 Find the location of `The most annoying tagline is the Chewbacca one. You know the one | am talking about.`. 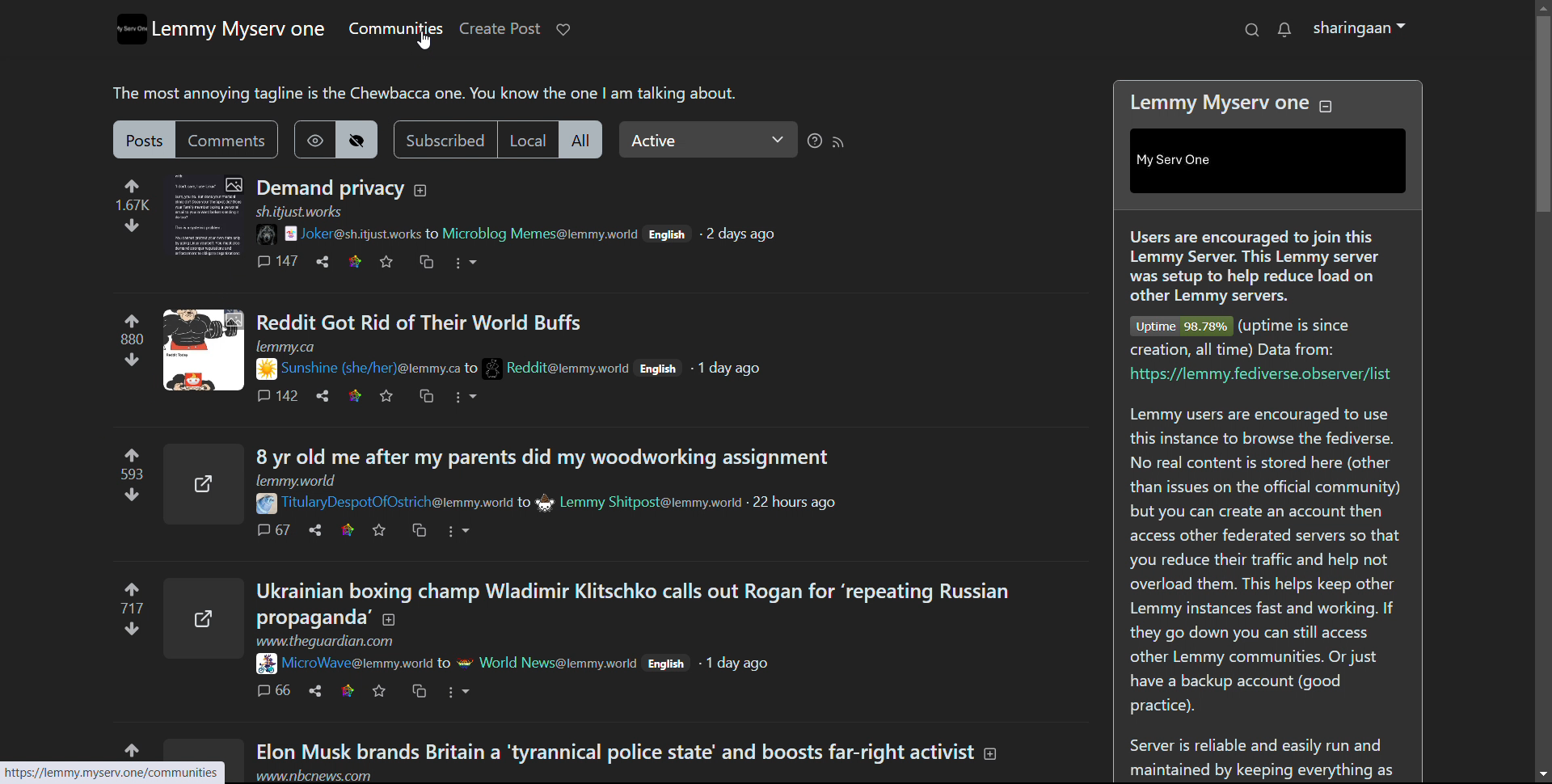

The most annoying tagline is the Chewbacca one. You know the one | am talking about. is located at coordinates (432, 92).